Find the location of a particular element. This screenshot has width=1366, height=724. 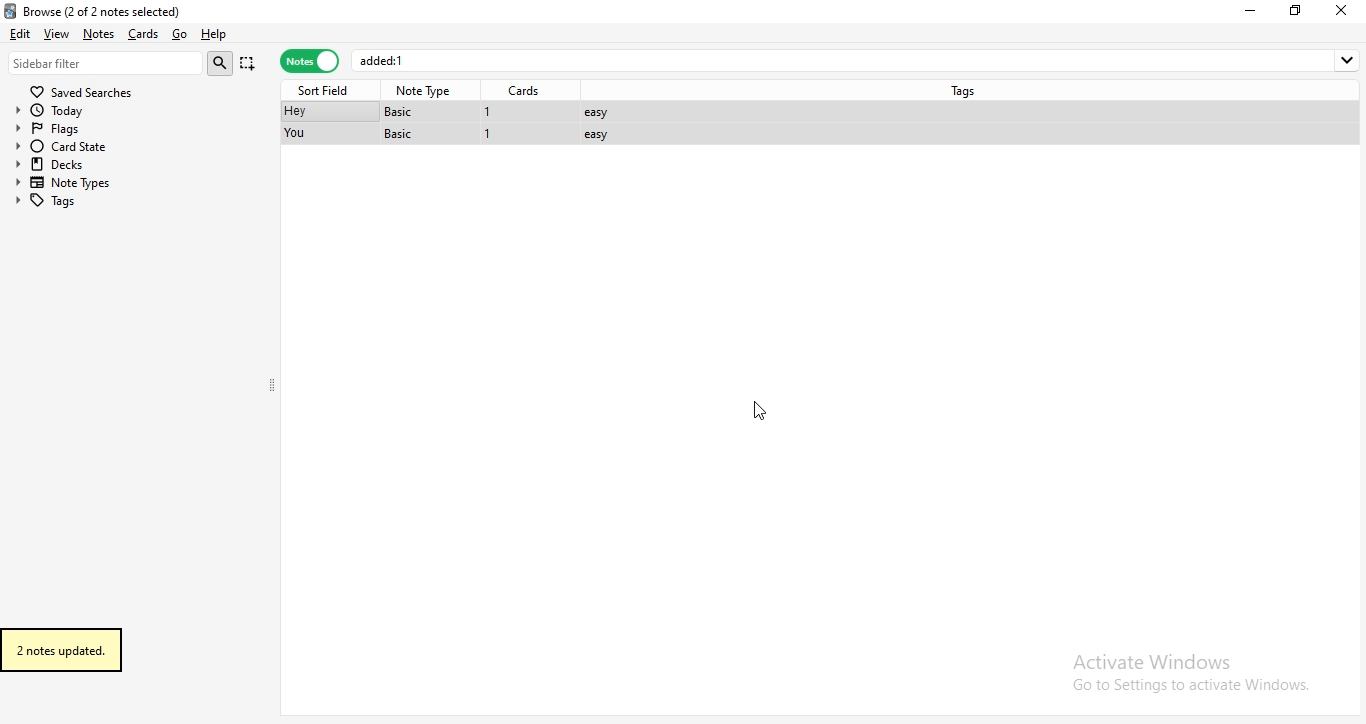

go is located at coordinates (178, 35).